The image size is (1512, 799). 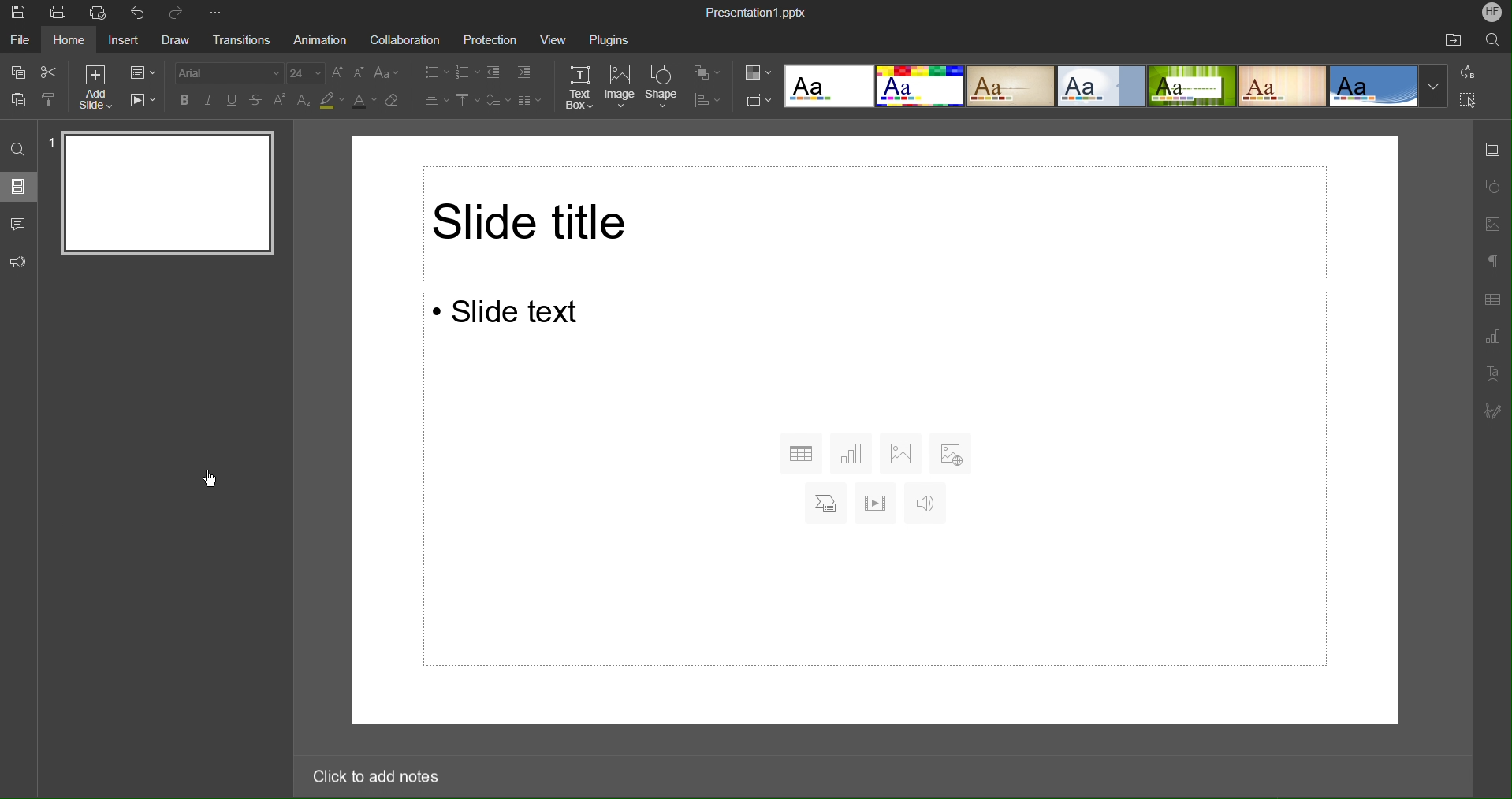 I want to click on strikethrough, so click(x=257, y=101).